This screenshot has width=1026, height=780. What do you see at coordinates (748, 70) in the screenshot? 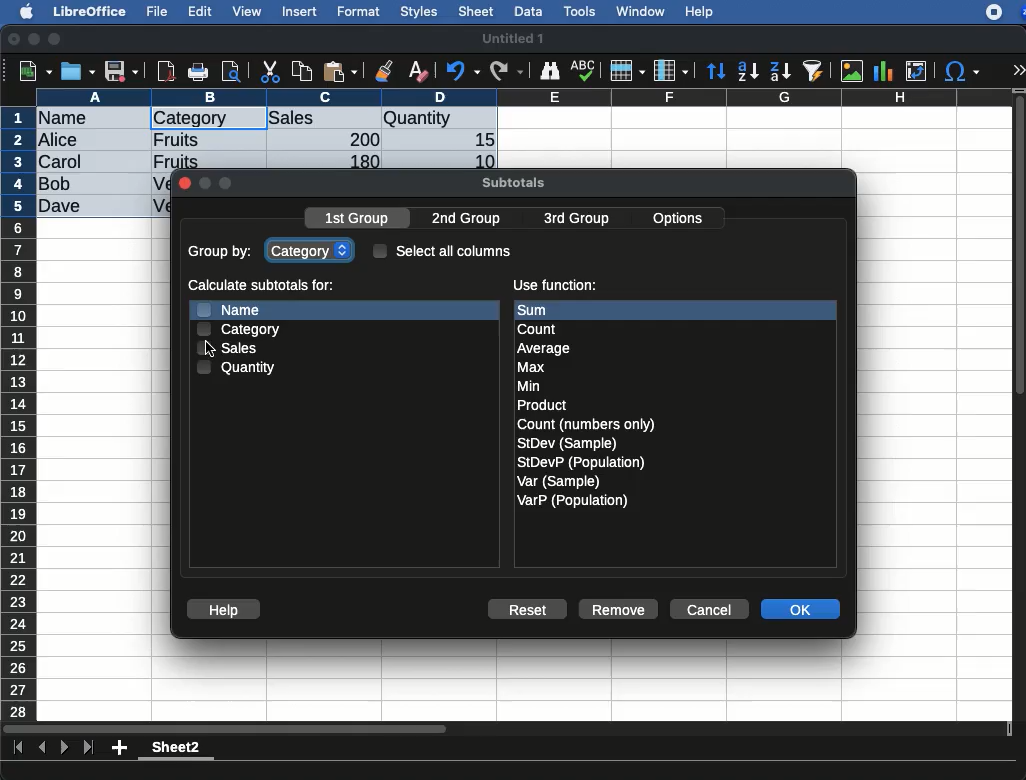
I see `ascending` at bounding box center [748, 70].